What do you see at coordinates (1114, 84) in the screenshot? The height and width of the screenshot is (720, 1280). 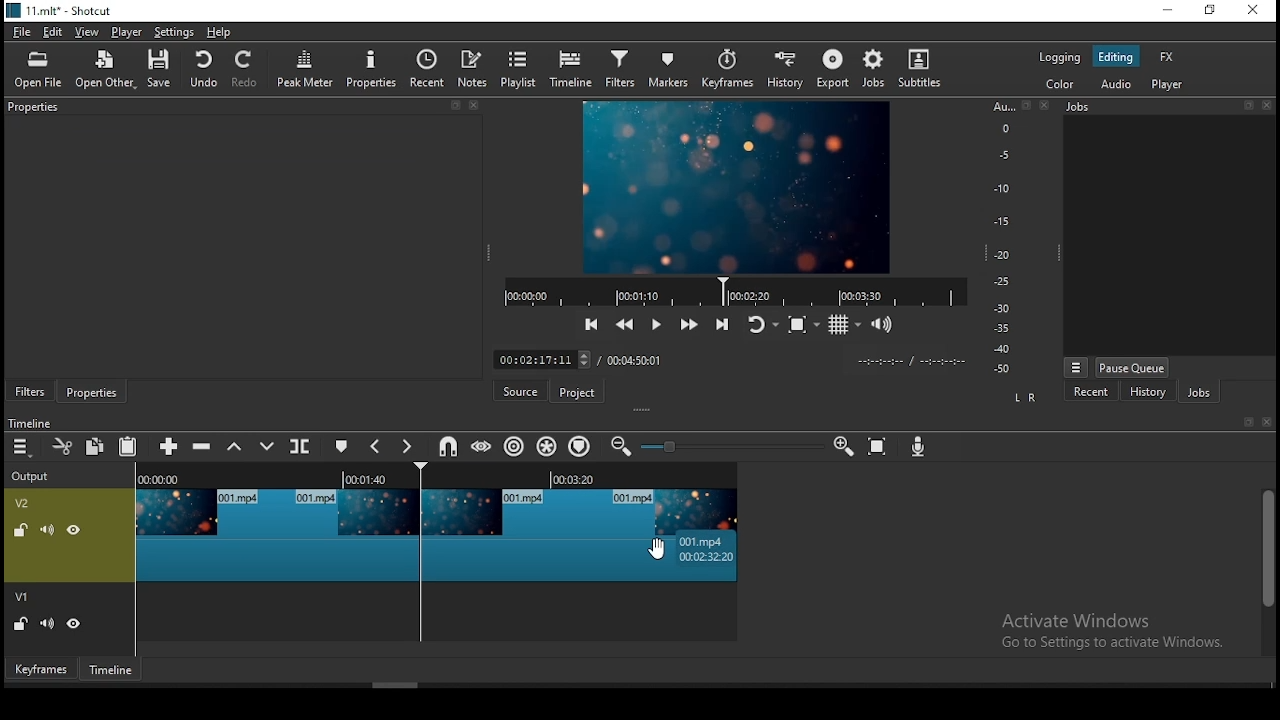 I see `audio` at bounding box center [1114, 84].